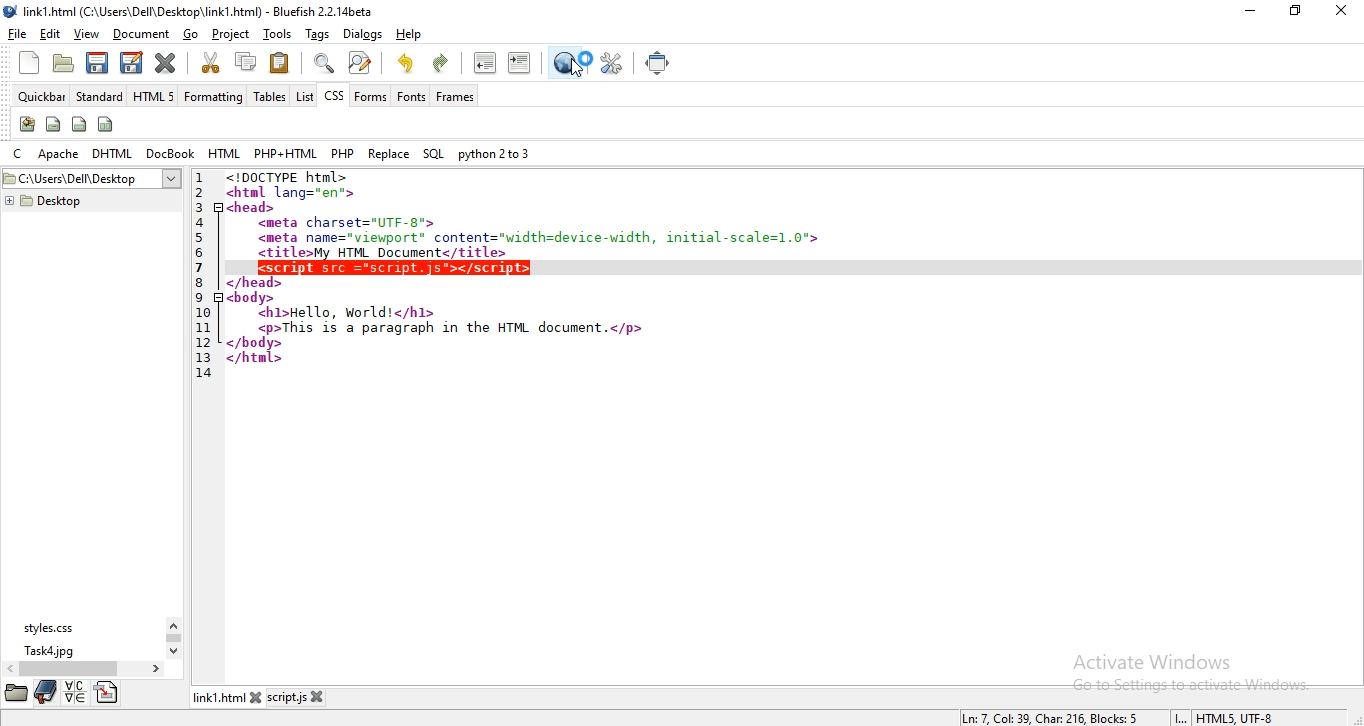 The height and width of the screenshot is (726, 1364). Describe the element at coordinates (220, 208) in the screenshot. I see `code fold` at that location.